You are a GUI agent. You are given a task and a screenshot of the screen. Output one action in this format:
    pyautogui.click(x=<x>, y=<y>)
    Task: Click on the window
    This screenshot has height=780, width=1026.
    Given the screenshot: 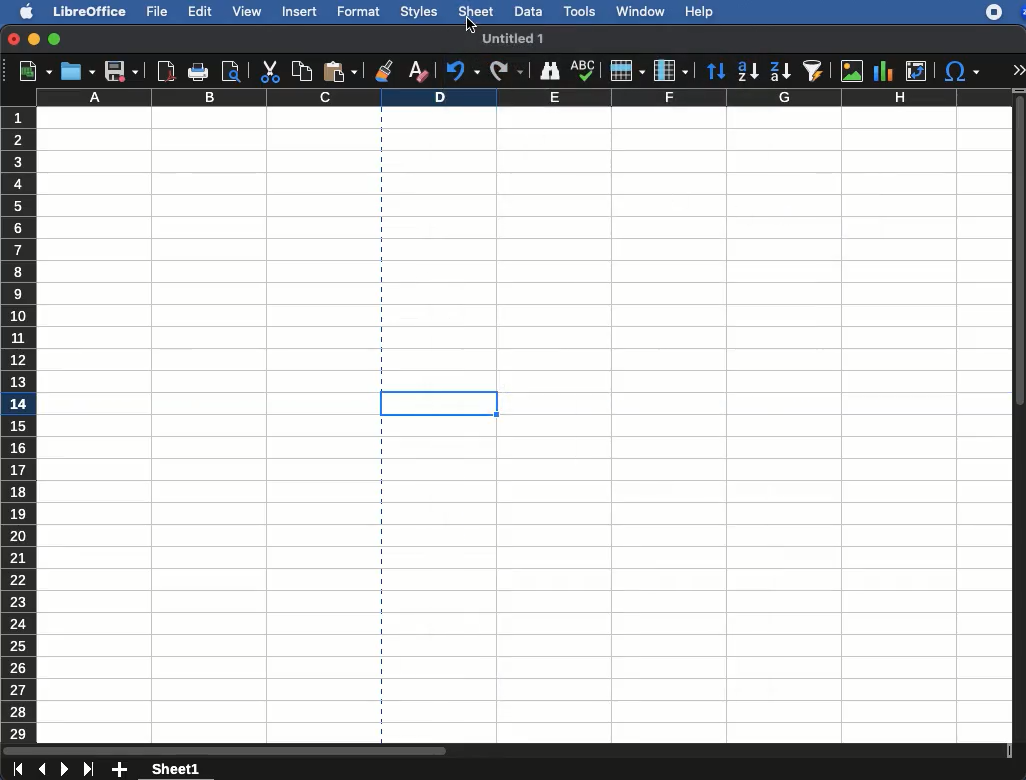 What is the action you would take?
    pyautogui.click(x=639, y=13)
    